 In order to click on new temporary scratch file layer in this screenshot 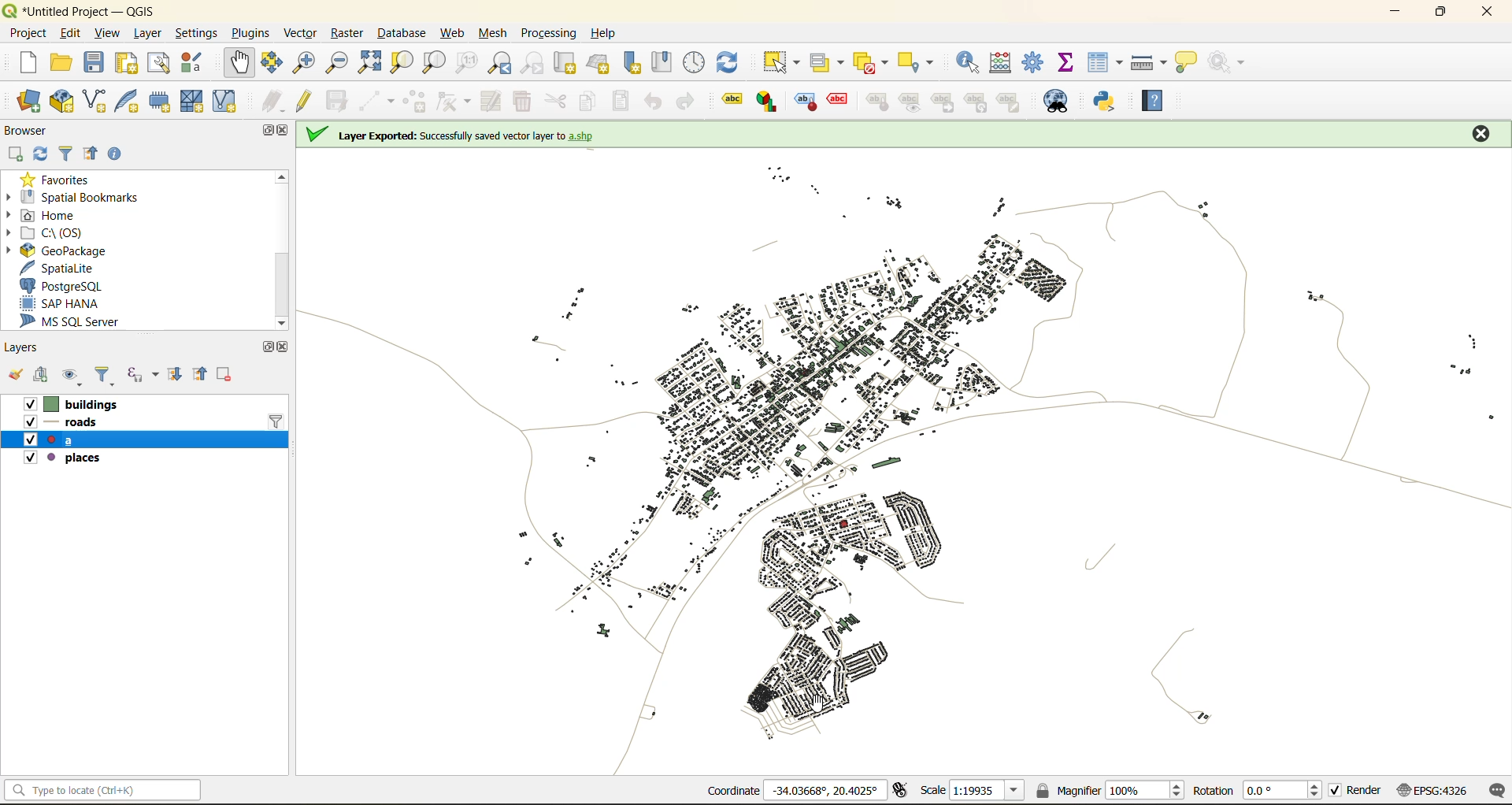, I will do `click(159, 101)`.